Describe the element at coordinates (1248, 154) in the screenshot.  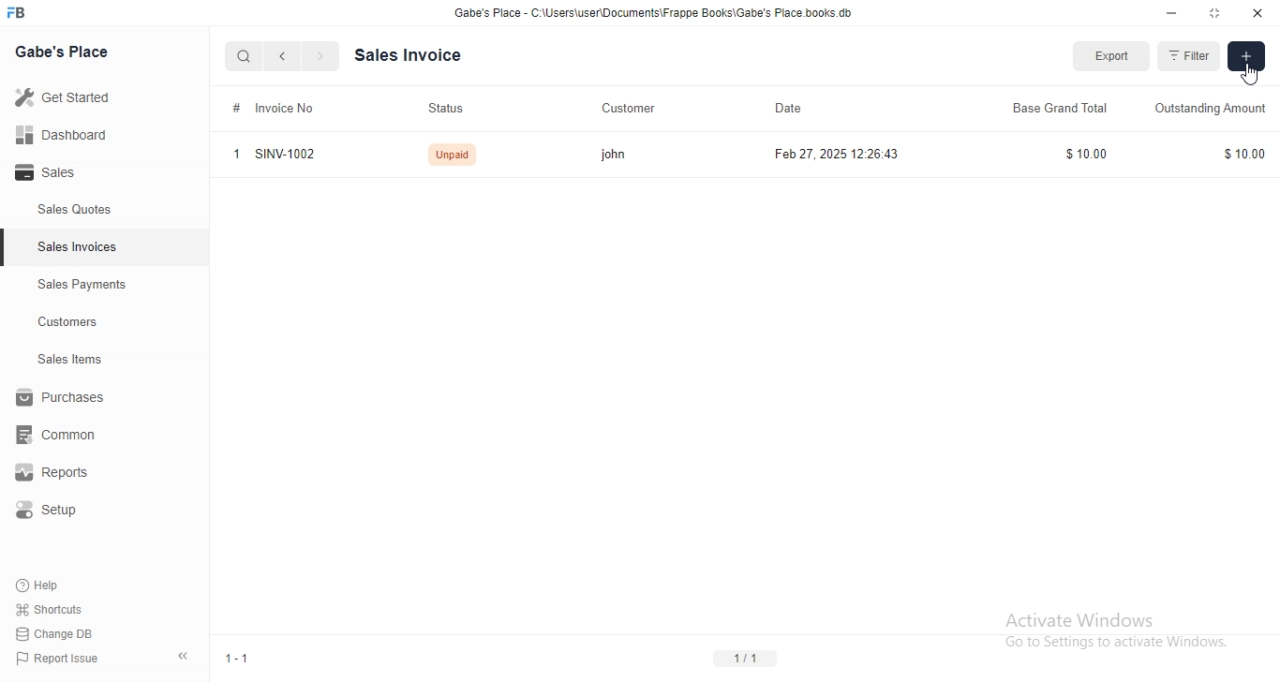
I see `$10.00` at that location.